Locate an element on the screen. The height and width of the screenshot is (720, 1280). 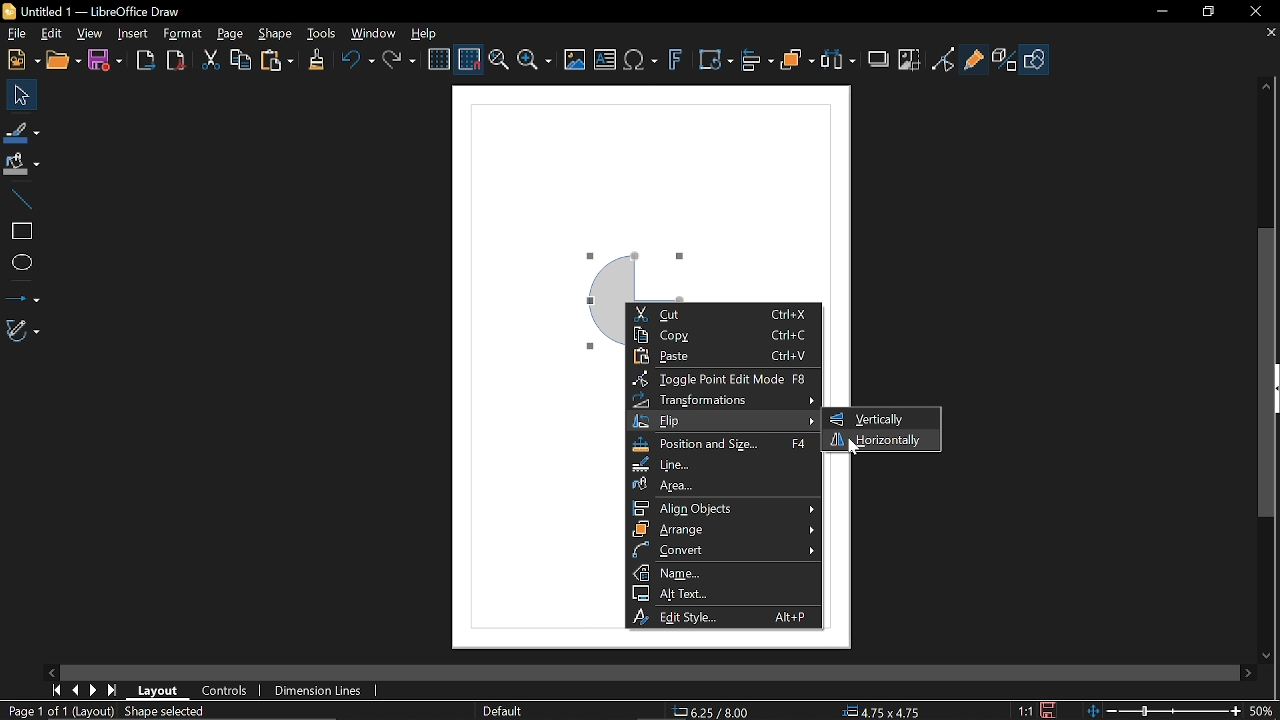
Export is located at coordinates (146, 60).